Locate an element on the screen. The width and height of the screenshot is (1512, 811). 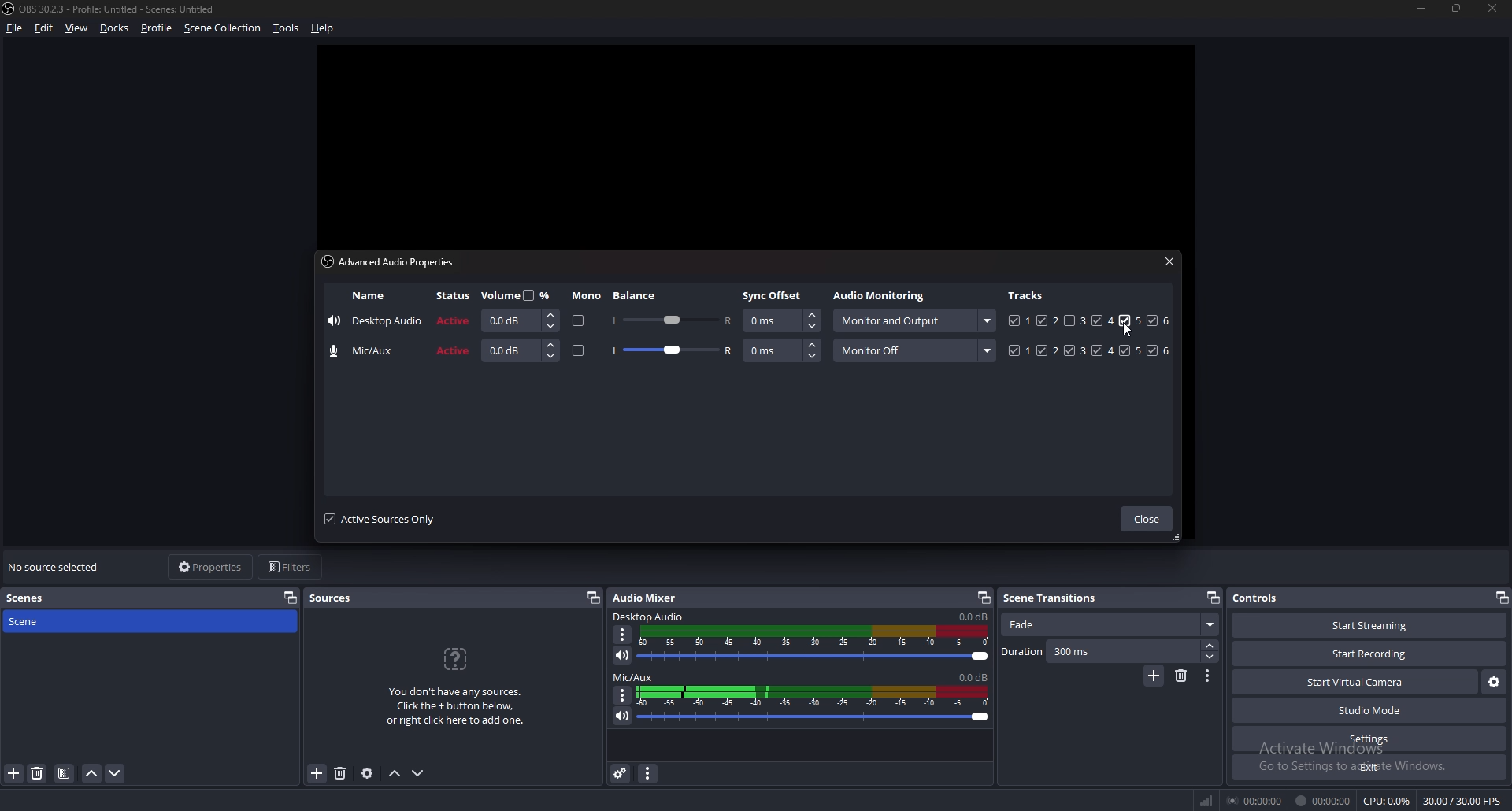
move scene down is located at coordinates (115, 774).